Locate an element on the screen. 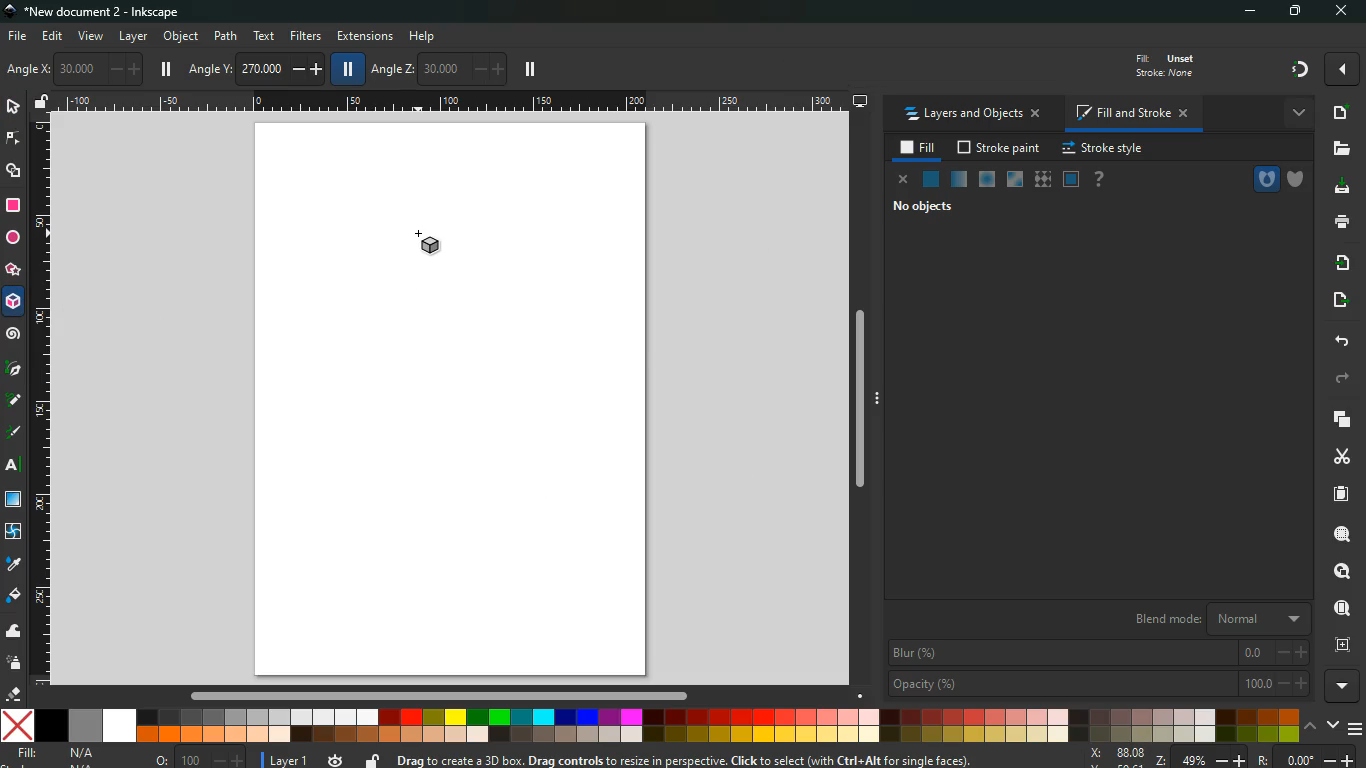 Image resolution: width=1366 pixels, height=768 pixels. paper is located at coordinates (1339, 494).